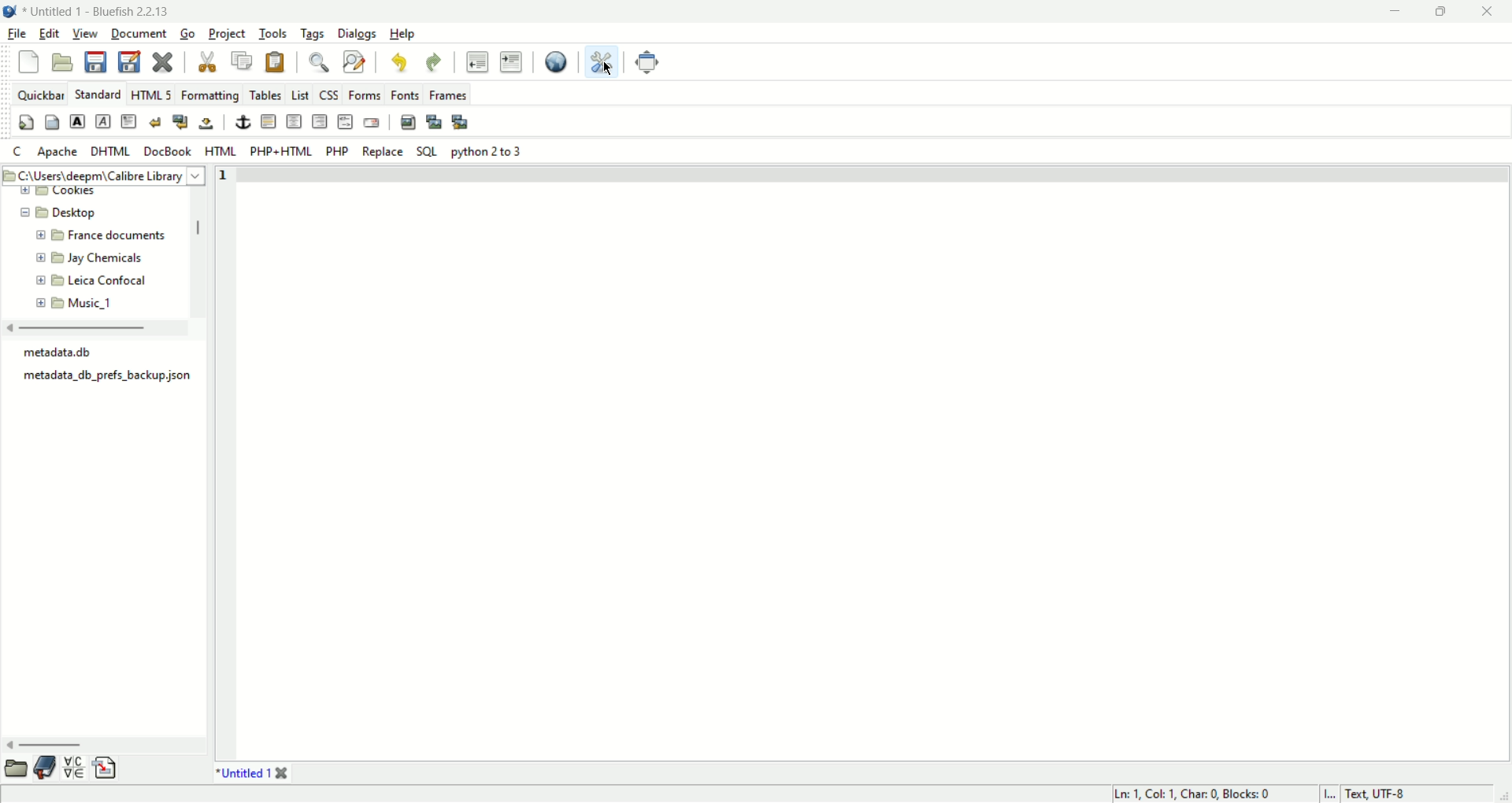  Describe the element at coordinates (402, 35) in the screenshot. I see `help` at that location.